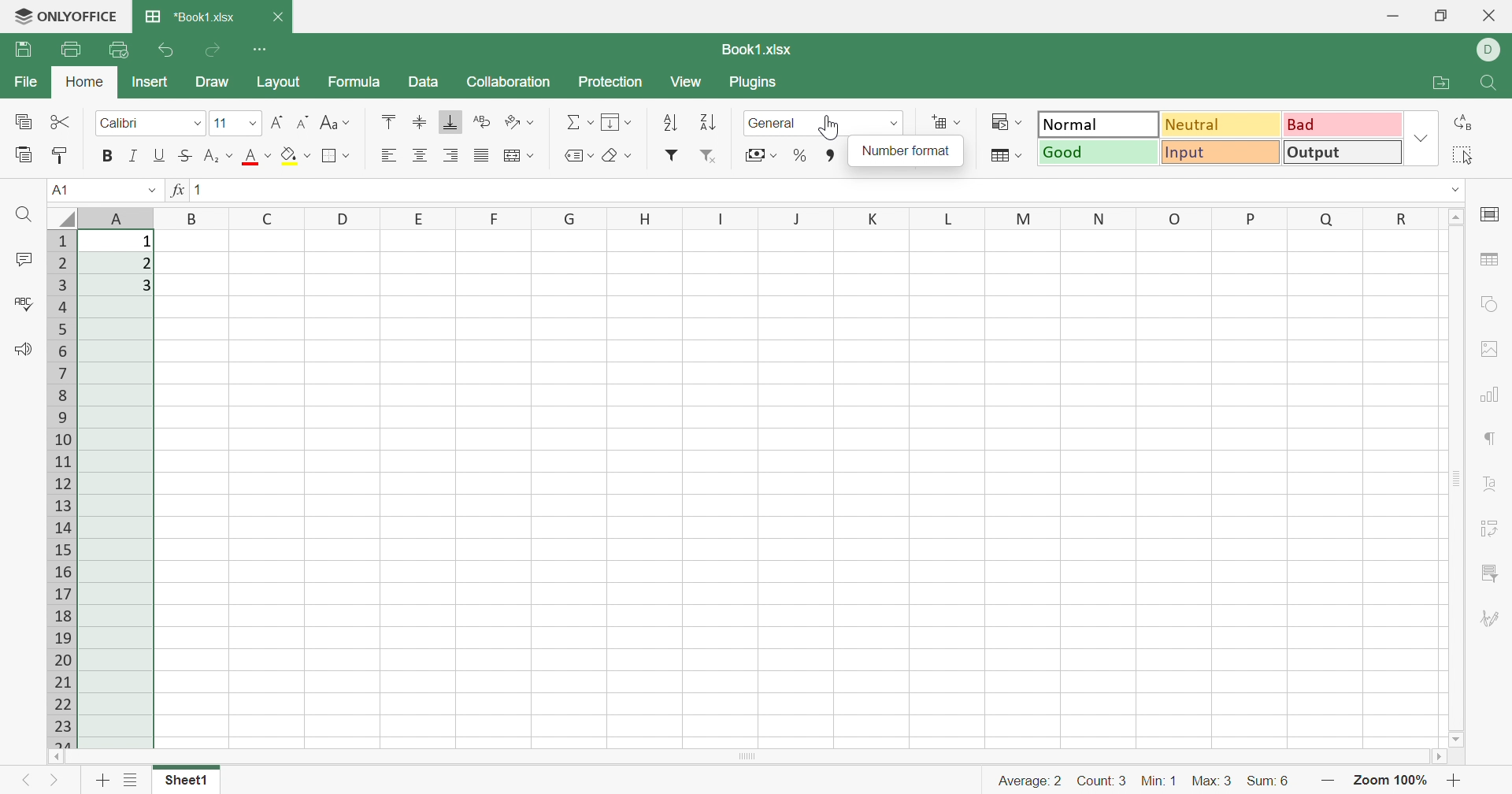 The width and height of the screenshot is (1512, 794). Describe the element at coordinates (673, 123) in the screenshot. I see `Sort ascending` at that location.